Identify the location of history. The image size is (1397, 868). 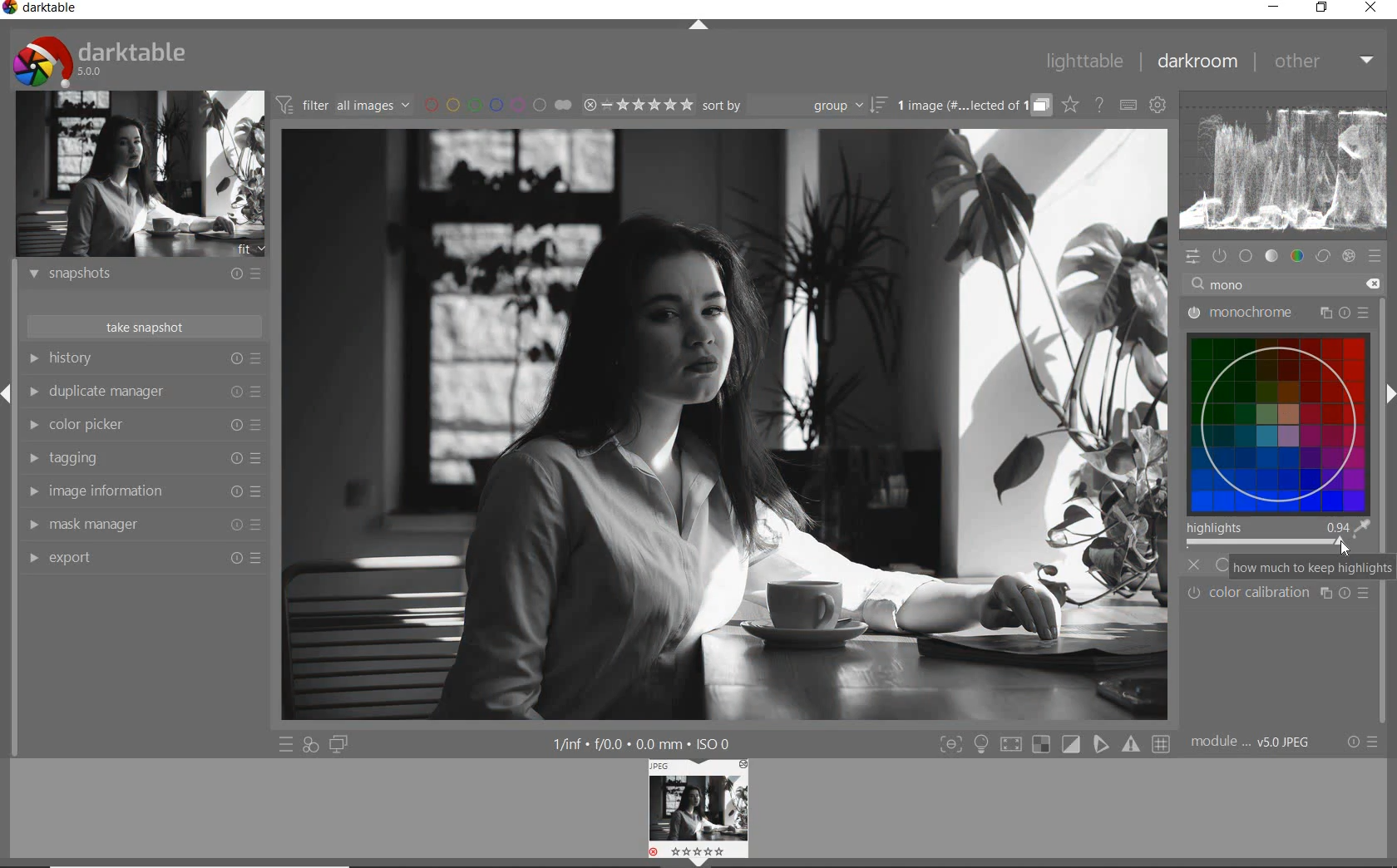
(143, 358).